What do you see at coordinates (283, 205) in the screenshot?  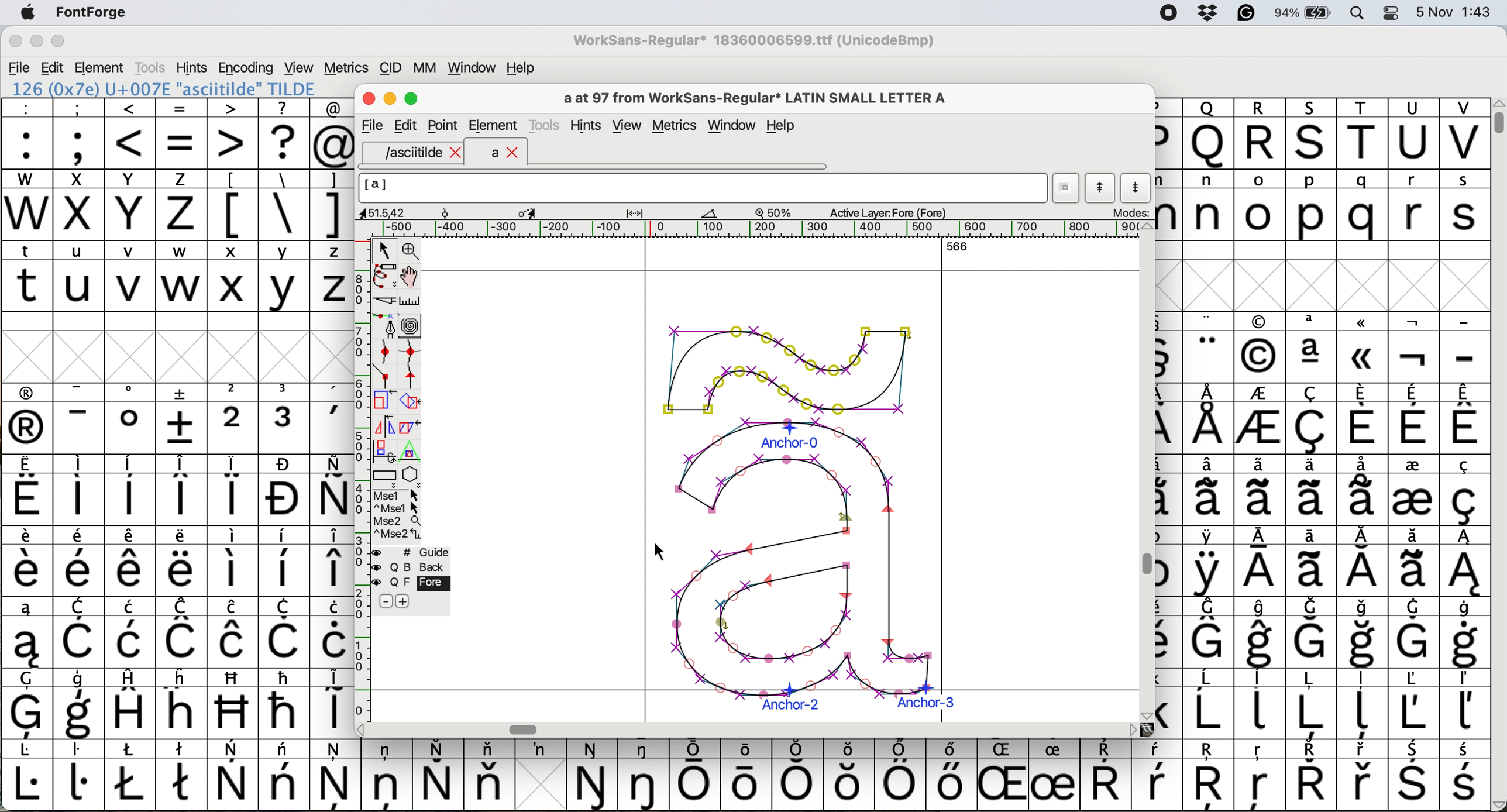 I see `\` at bounding box center [283, 205].